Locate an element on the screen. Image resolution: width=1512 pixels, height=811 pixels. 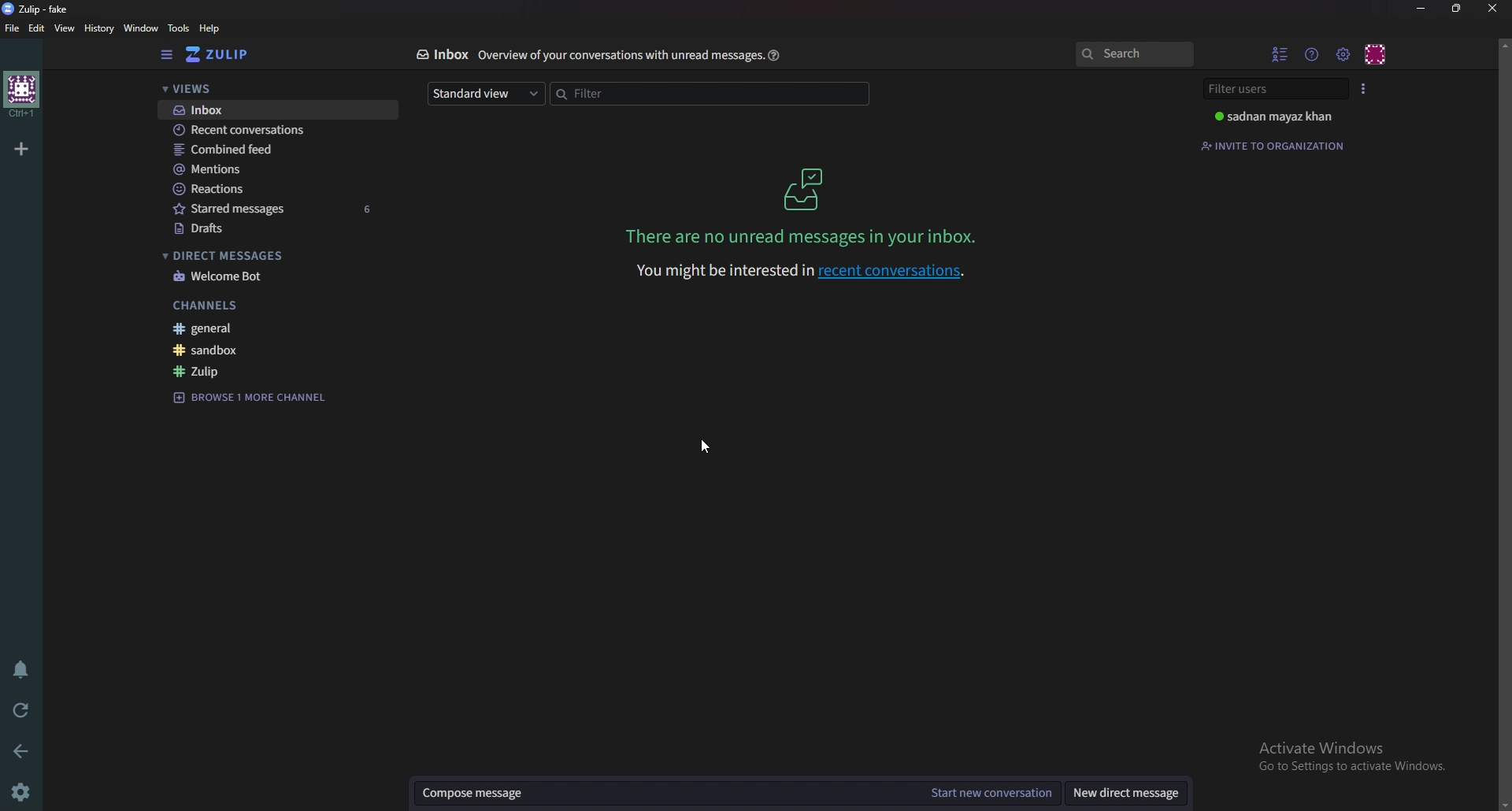
Inbox is located at coordinates (270, 109).